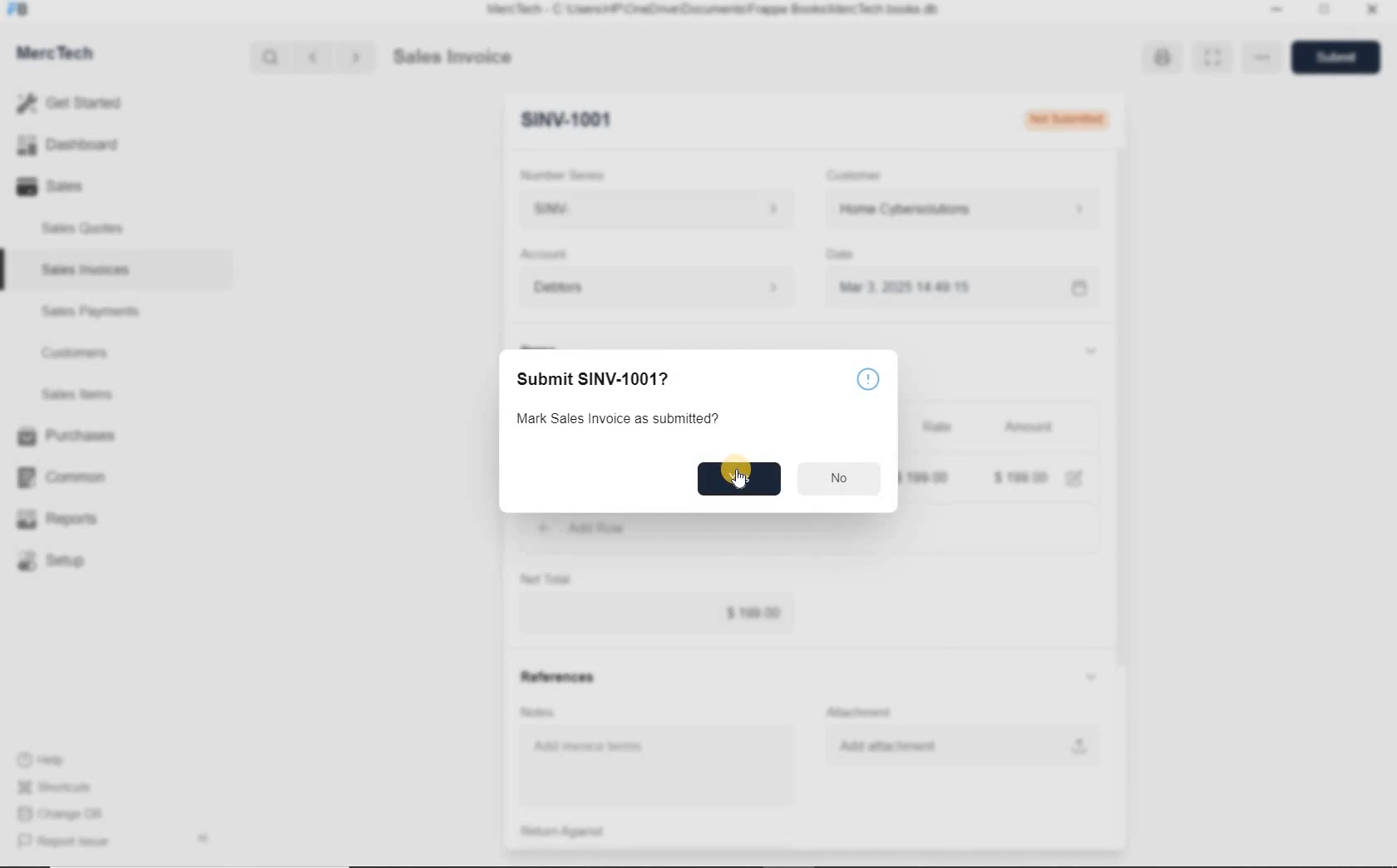  Describe the element at coordinates (70, 560) in the screenshot. I see `Setup` at that location.